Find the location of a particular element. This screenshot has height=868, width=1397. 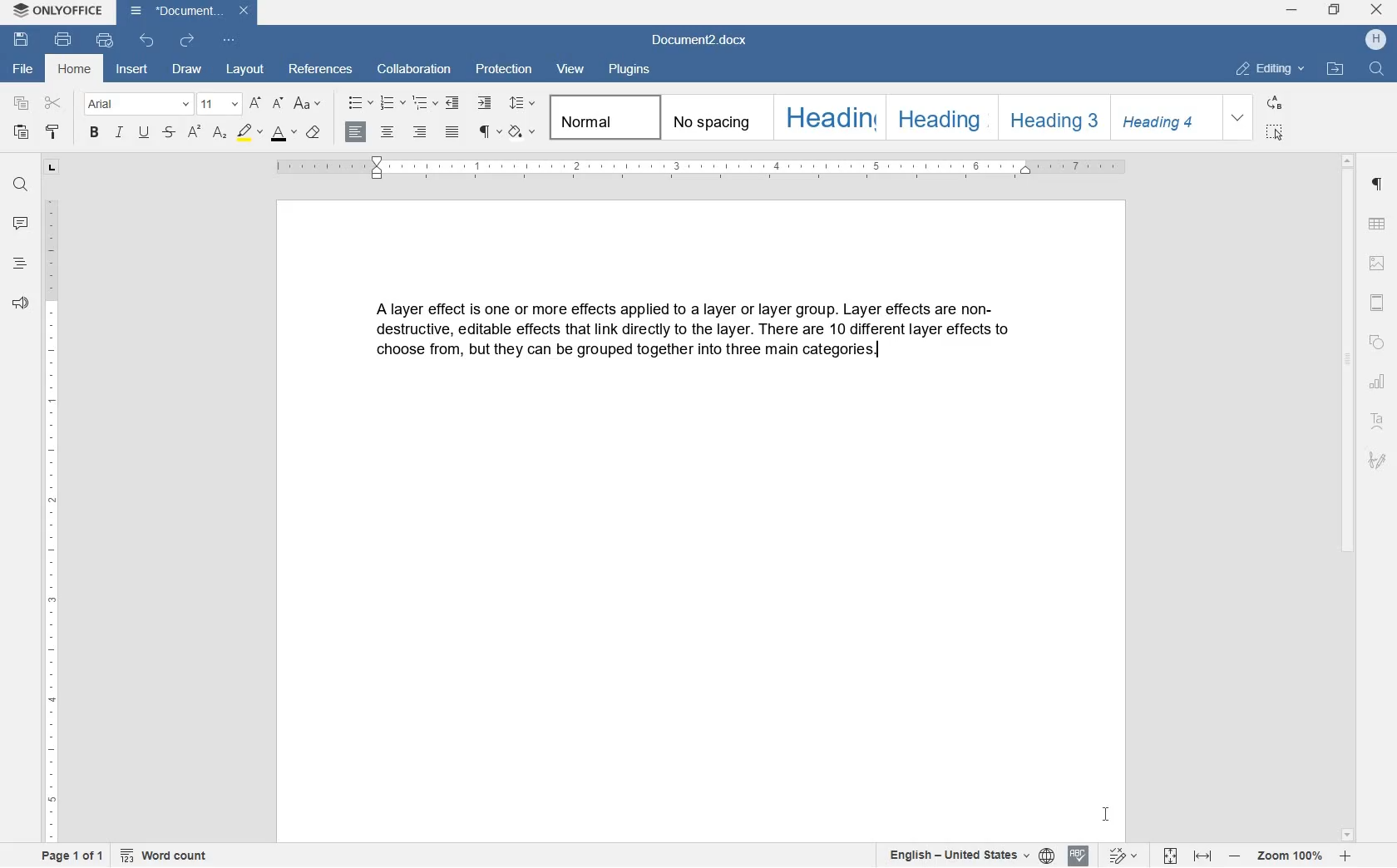

RULER is located at coordinates (694, 169).